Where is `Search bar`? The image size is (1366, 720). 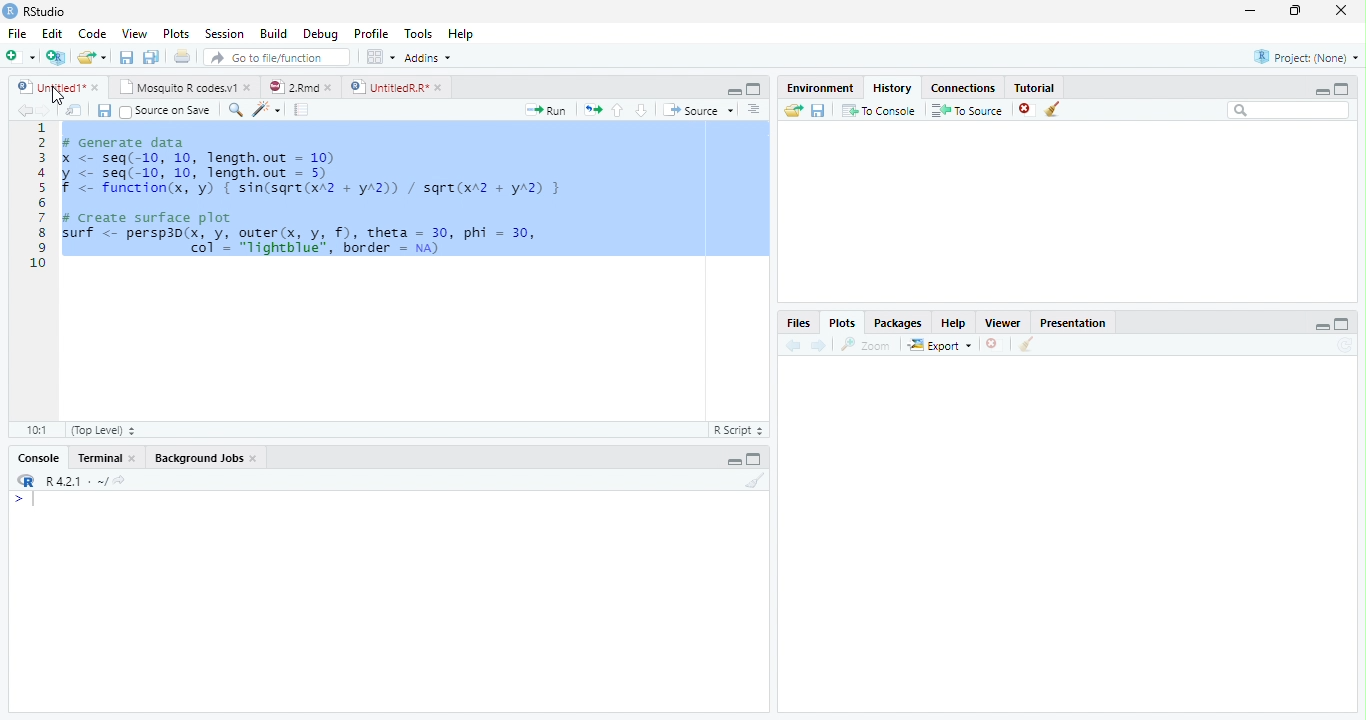
Search bar is located at coordinates (1288, 110).